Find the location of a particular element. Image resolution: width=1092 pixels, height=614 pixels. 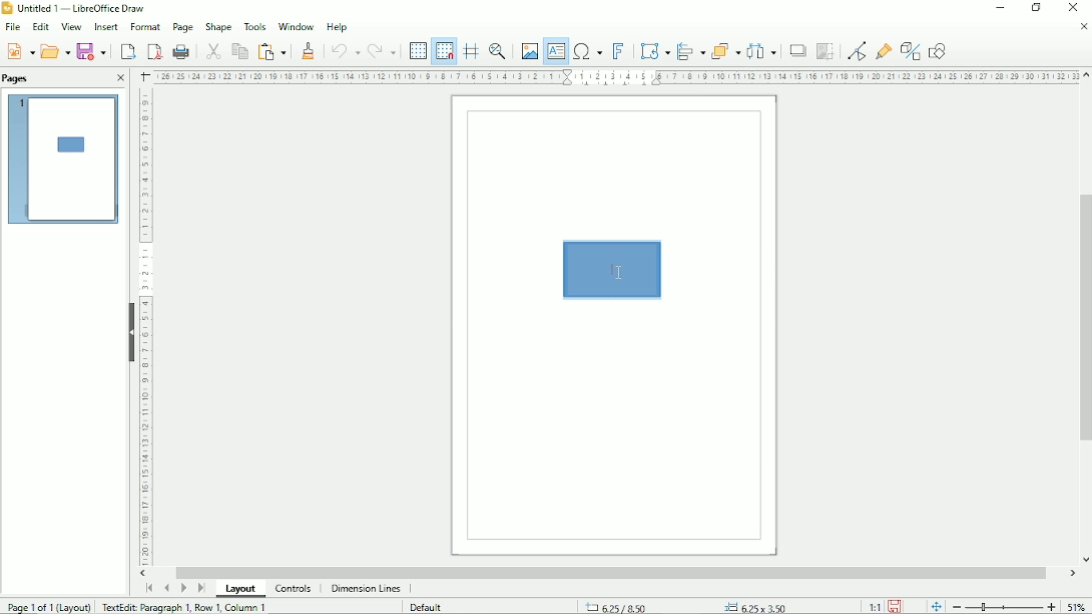

Help is located at coordinates (336, 27).